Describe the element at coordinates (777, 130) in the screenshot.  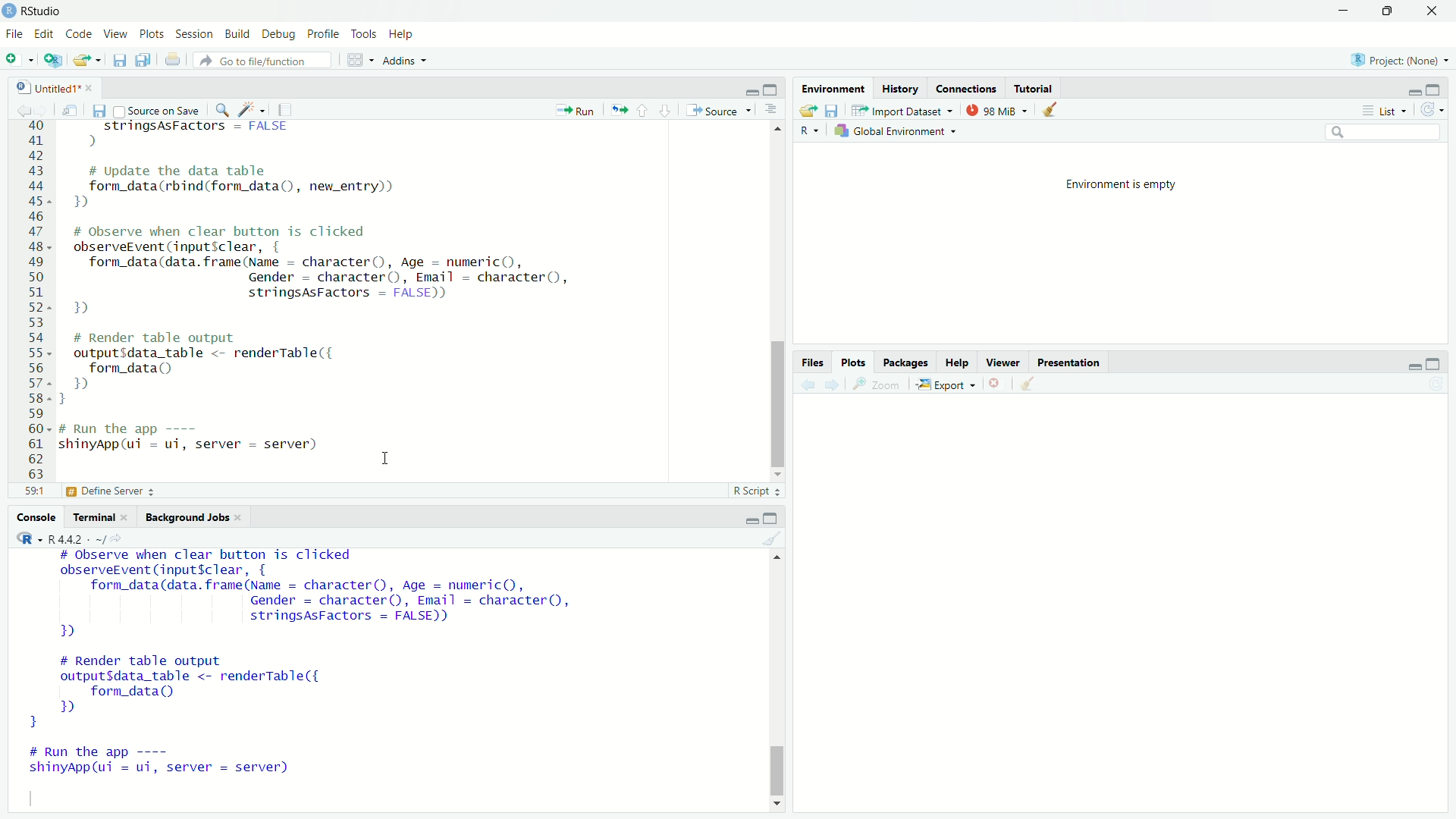
I see `move up` at that location.